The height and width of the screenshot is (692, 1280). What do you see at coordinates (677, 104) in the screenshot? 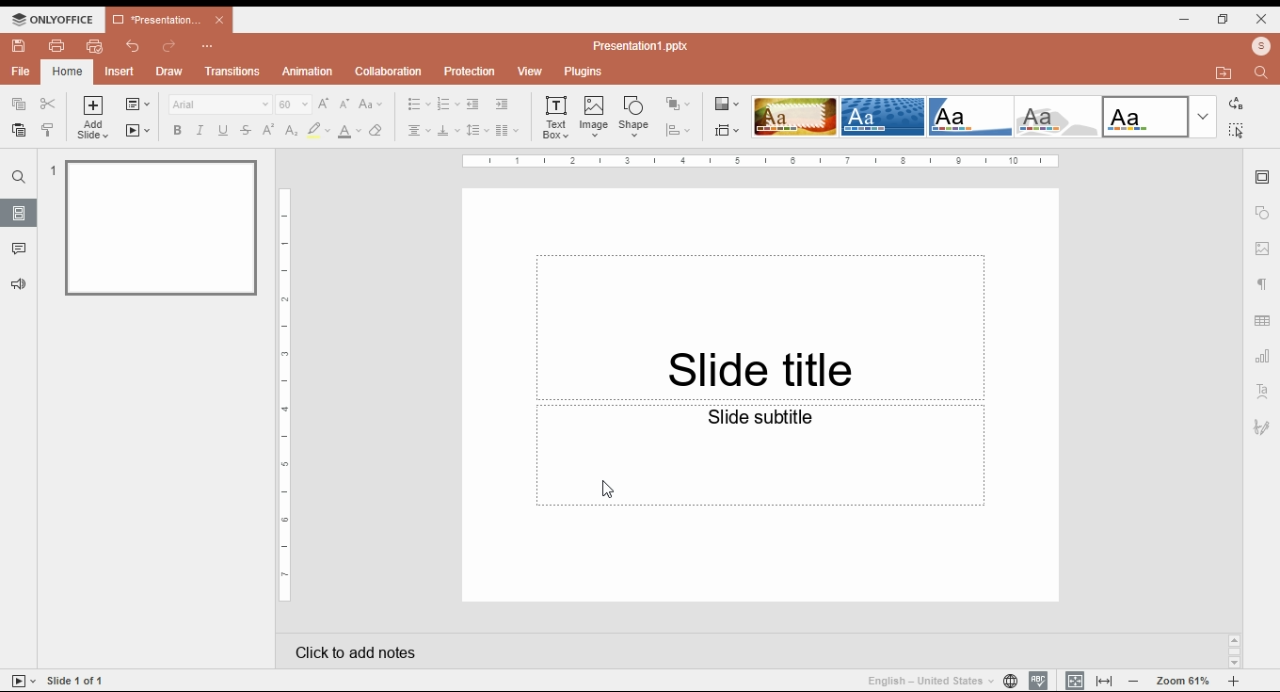
I see `arrange shape` at bounding box center [677, 104].